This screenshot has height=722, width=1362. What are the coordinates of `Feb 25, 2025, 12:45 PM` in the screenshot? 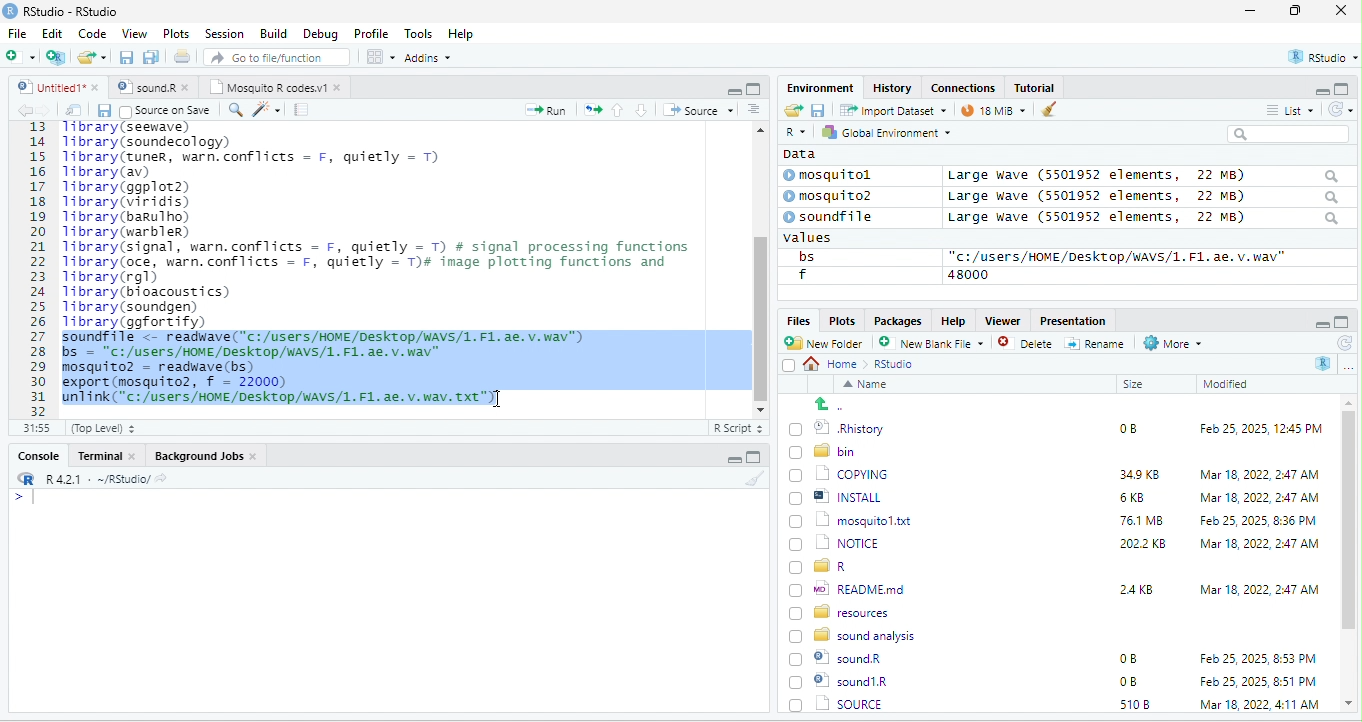 It's located at (1261, 431).